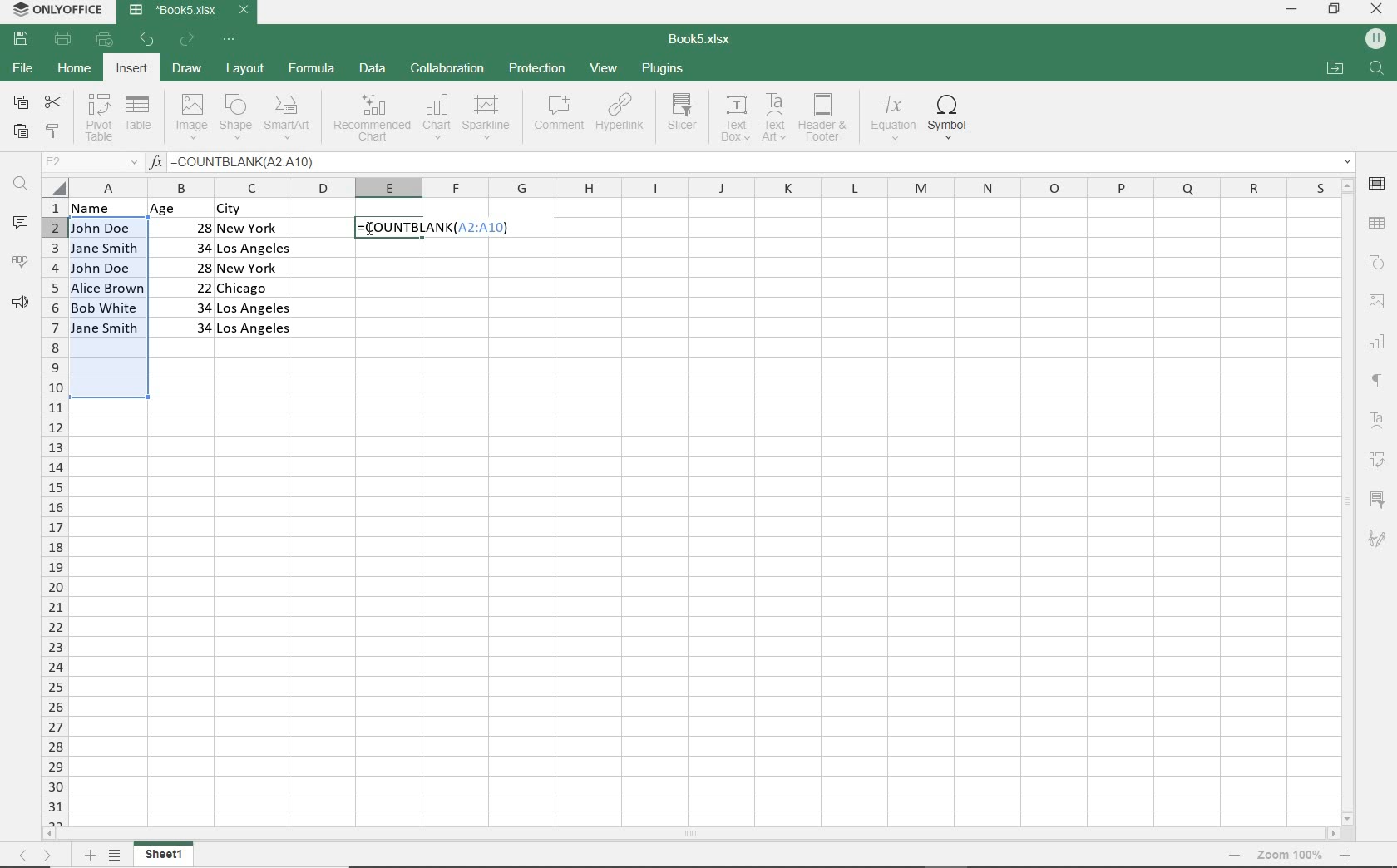 The height and width of the screenshot is (868, 1397). I want to click on SCROLLBAR, so click(1345, 501).